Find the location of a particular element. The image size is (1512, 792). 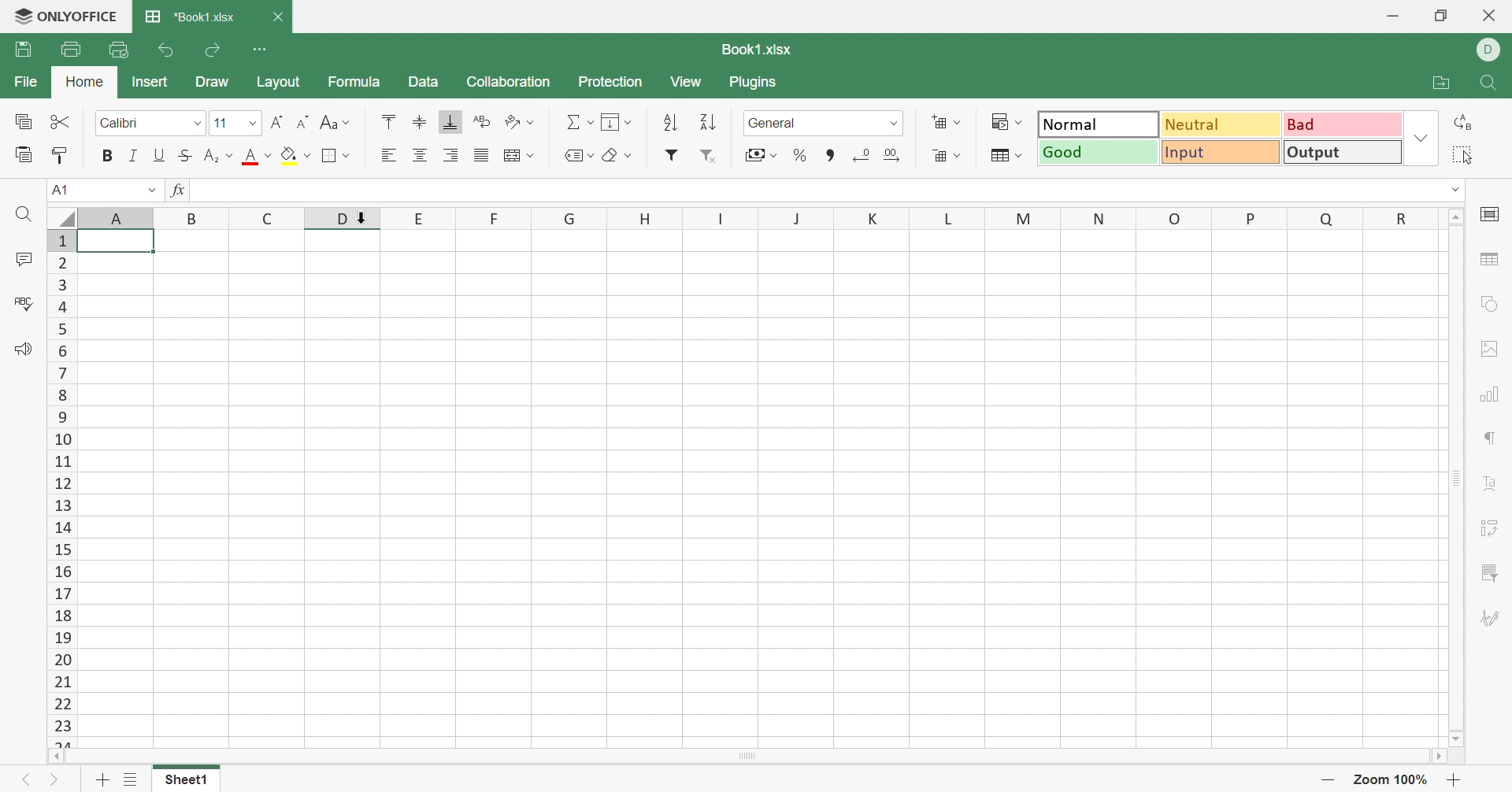

Drop Down is located at coordinates (589, 123).